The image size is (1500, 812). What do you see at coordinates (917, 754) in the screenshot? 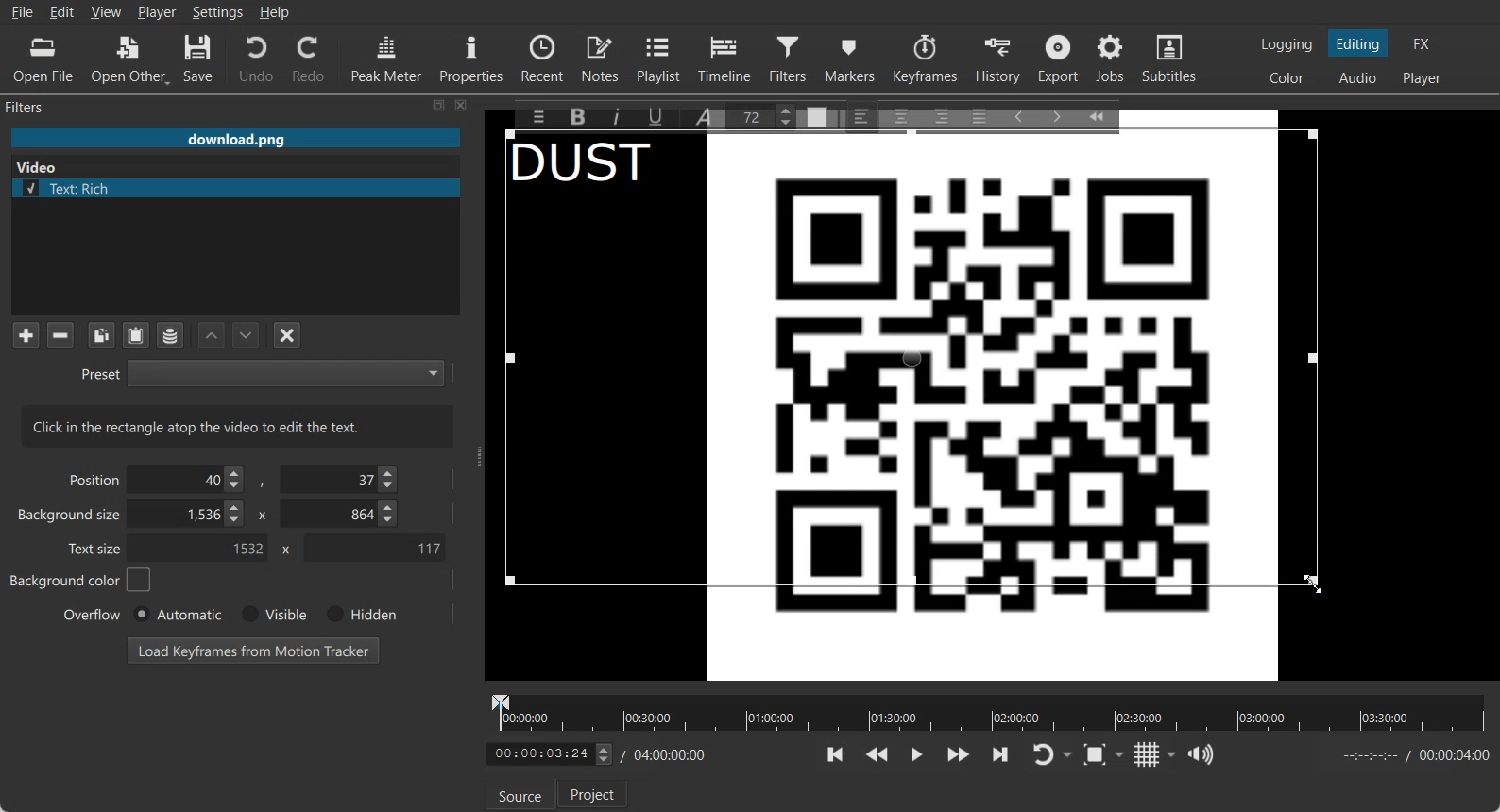
I see `Toggle play` at bounding box center [917, 754].